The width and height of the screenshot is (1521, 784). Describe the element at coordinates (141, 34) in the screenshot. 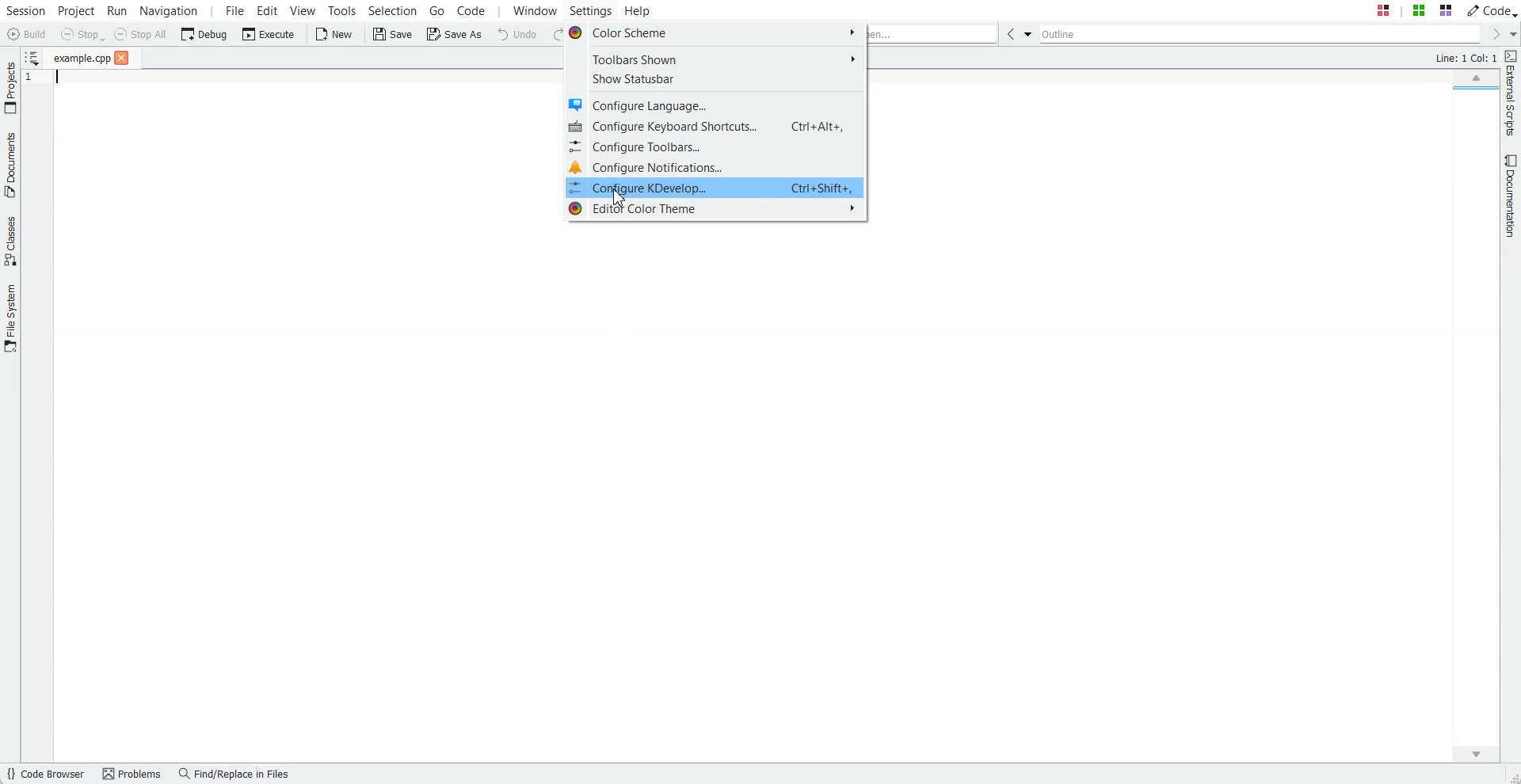

I see `Stop All` at that location.